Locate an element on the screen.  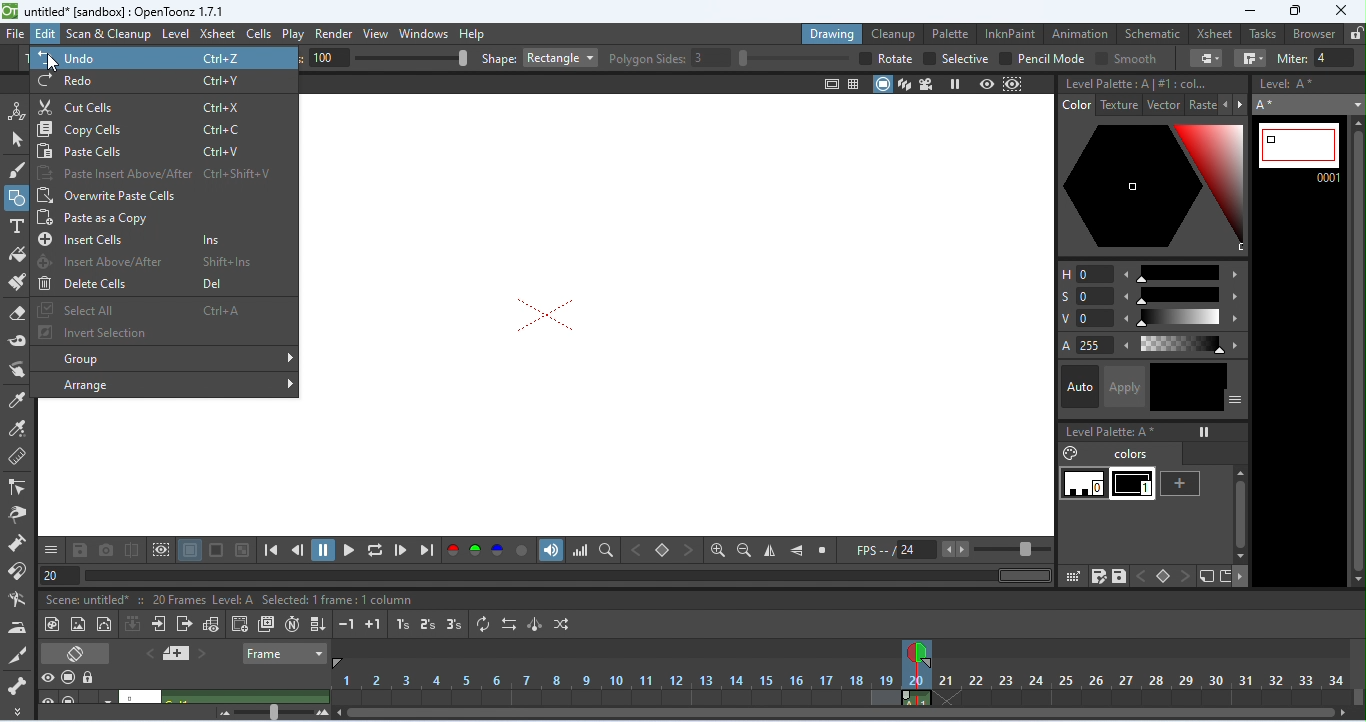
magnet is located at coordinates (18, 569).